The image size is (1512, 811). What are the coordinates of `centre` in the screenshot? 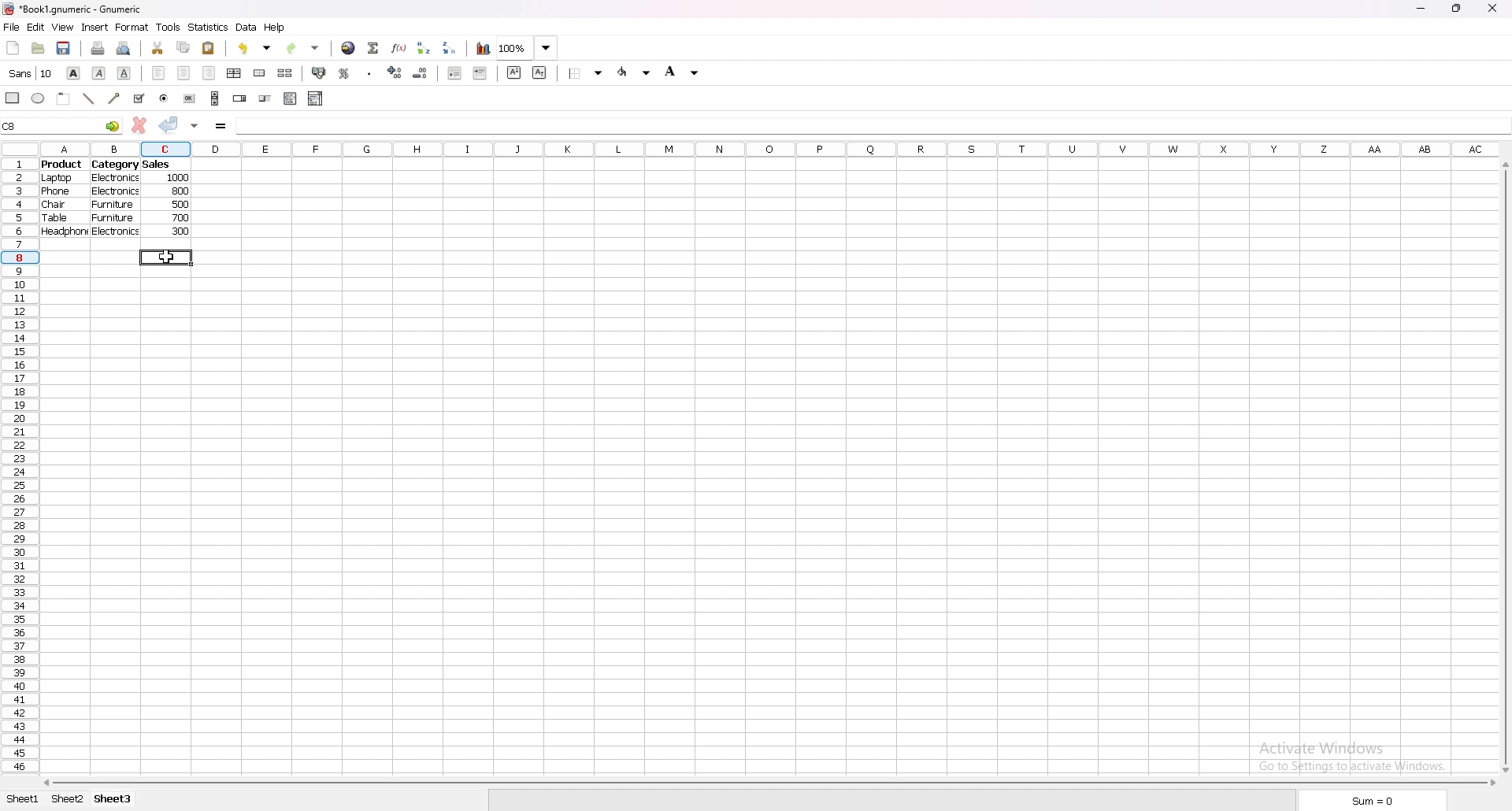 It's located at (183, 73).